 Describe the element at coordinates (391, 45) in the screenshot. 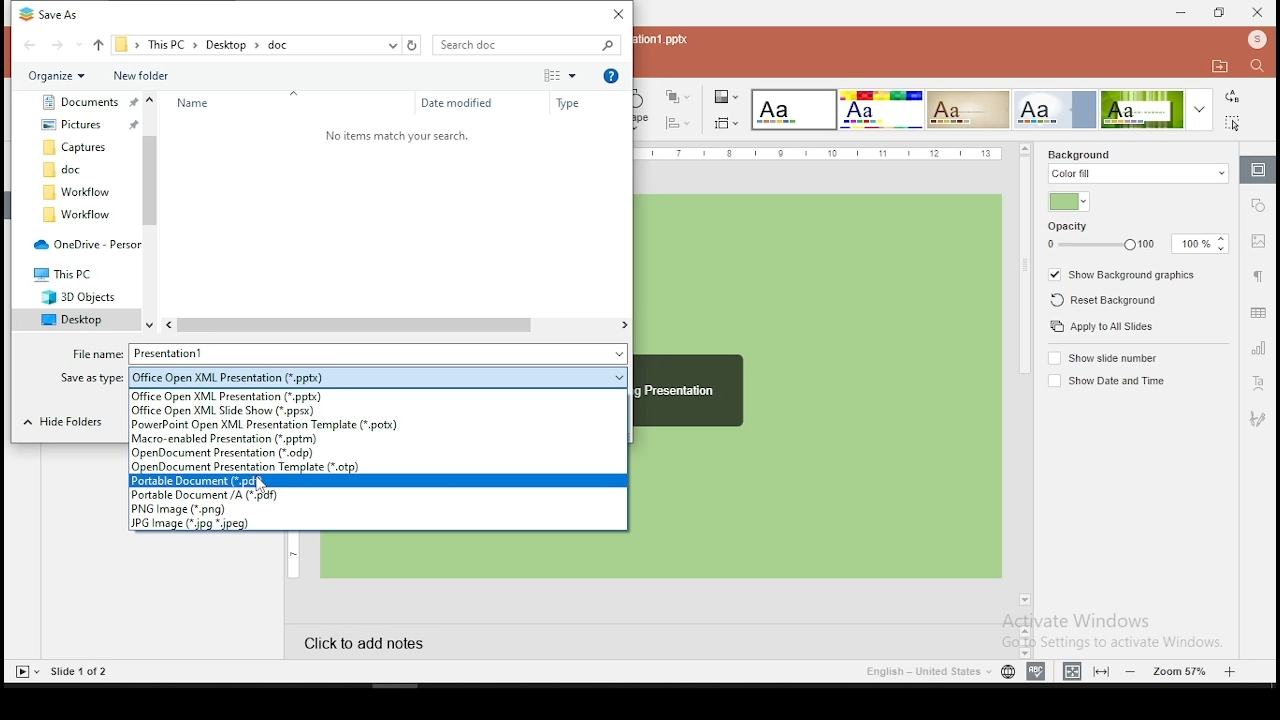

I see `previous locations` at that location.